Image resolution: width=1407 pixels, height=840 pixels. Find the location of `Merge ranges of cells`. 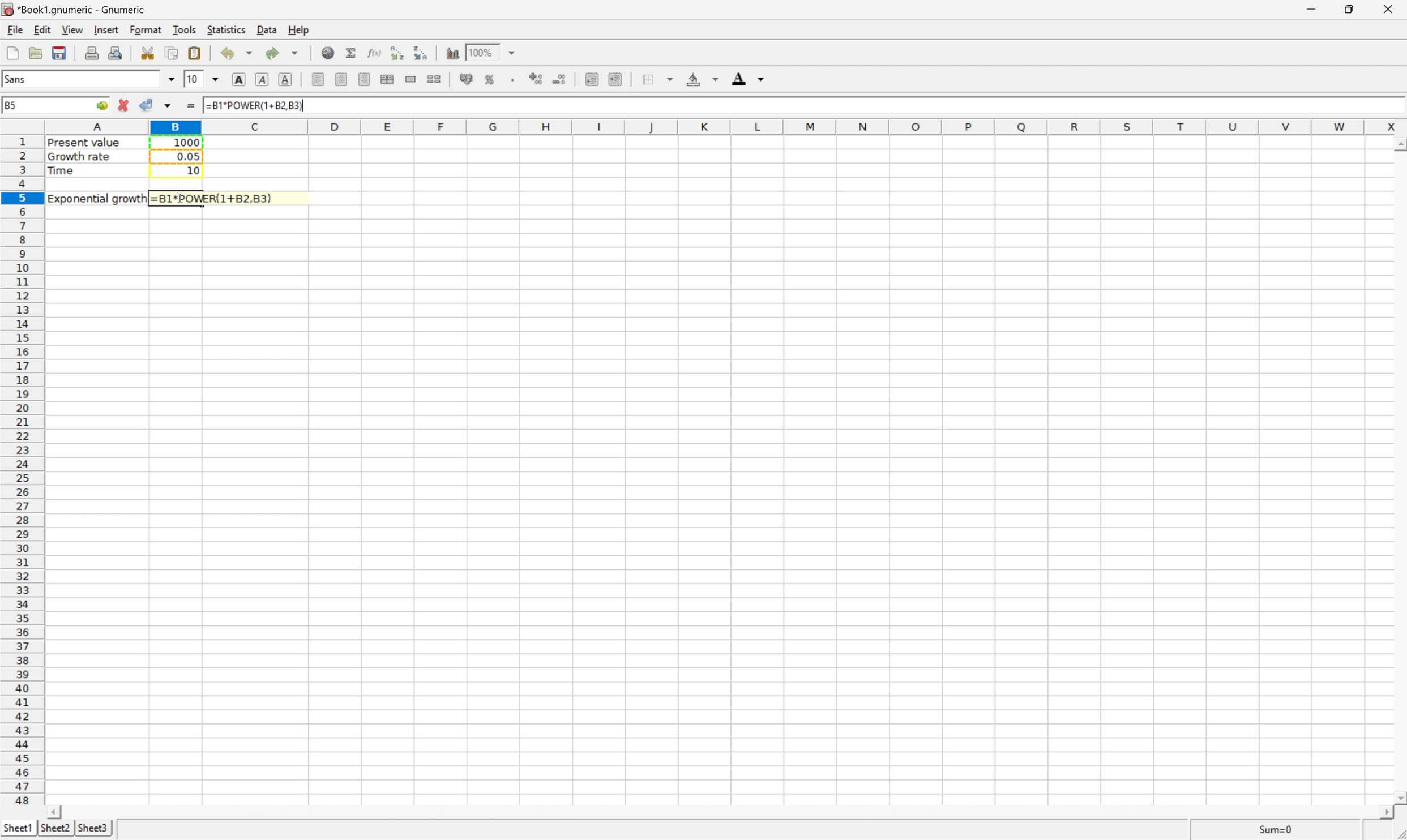

Merge ranges of cells is located at coordinates (412, 80).